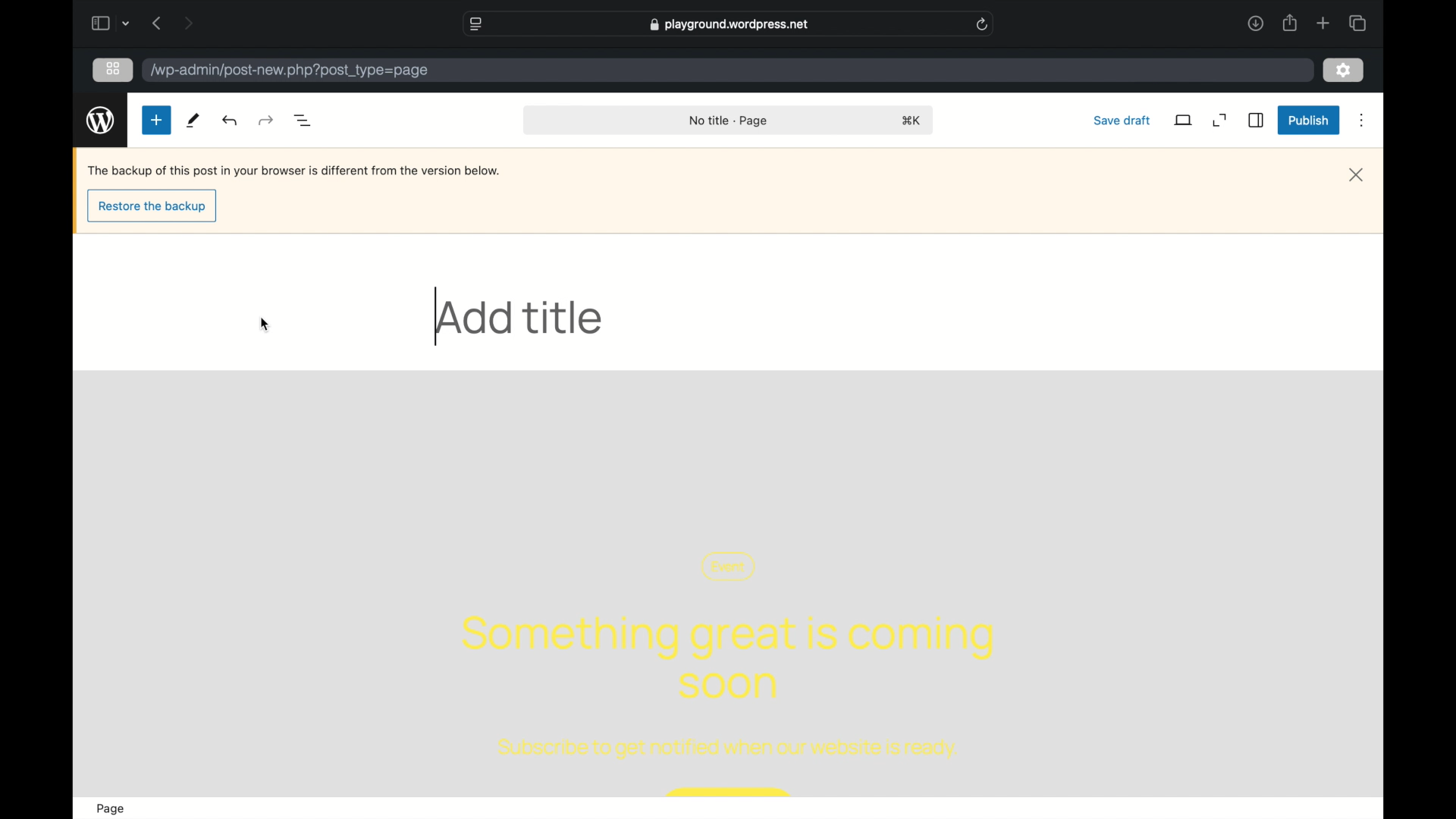 The width and height of the screenshot is (1456, 819). What do you see at coordinates (110, 809) in the screenshot?
I see `page` at bounding box center [110, 809].